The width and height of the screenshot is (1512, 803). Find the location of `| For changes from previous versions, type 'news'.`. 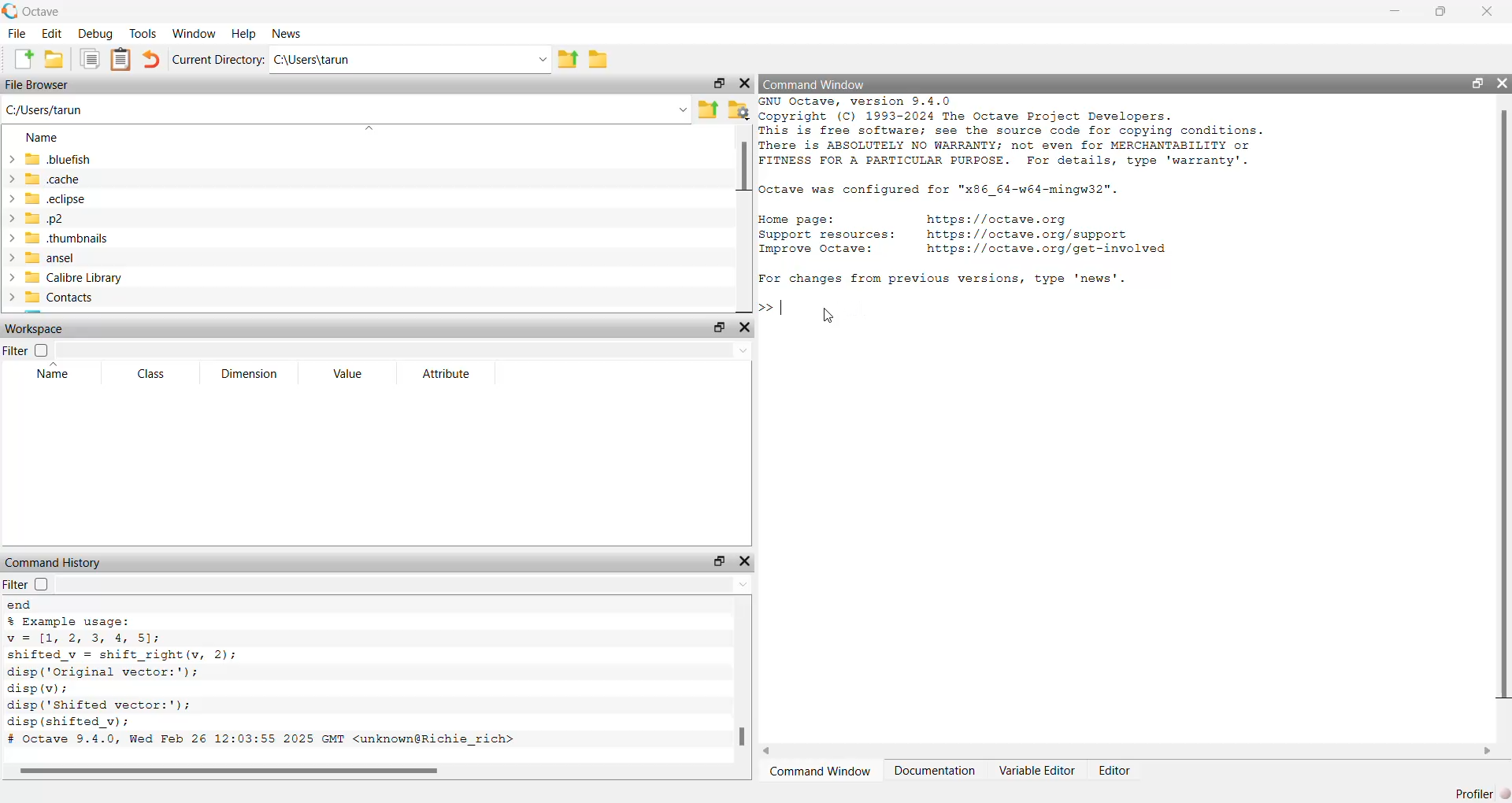

| For changes from previous versions, type 'news'. is located at coordinates (939, 280).